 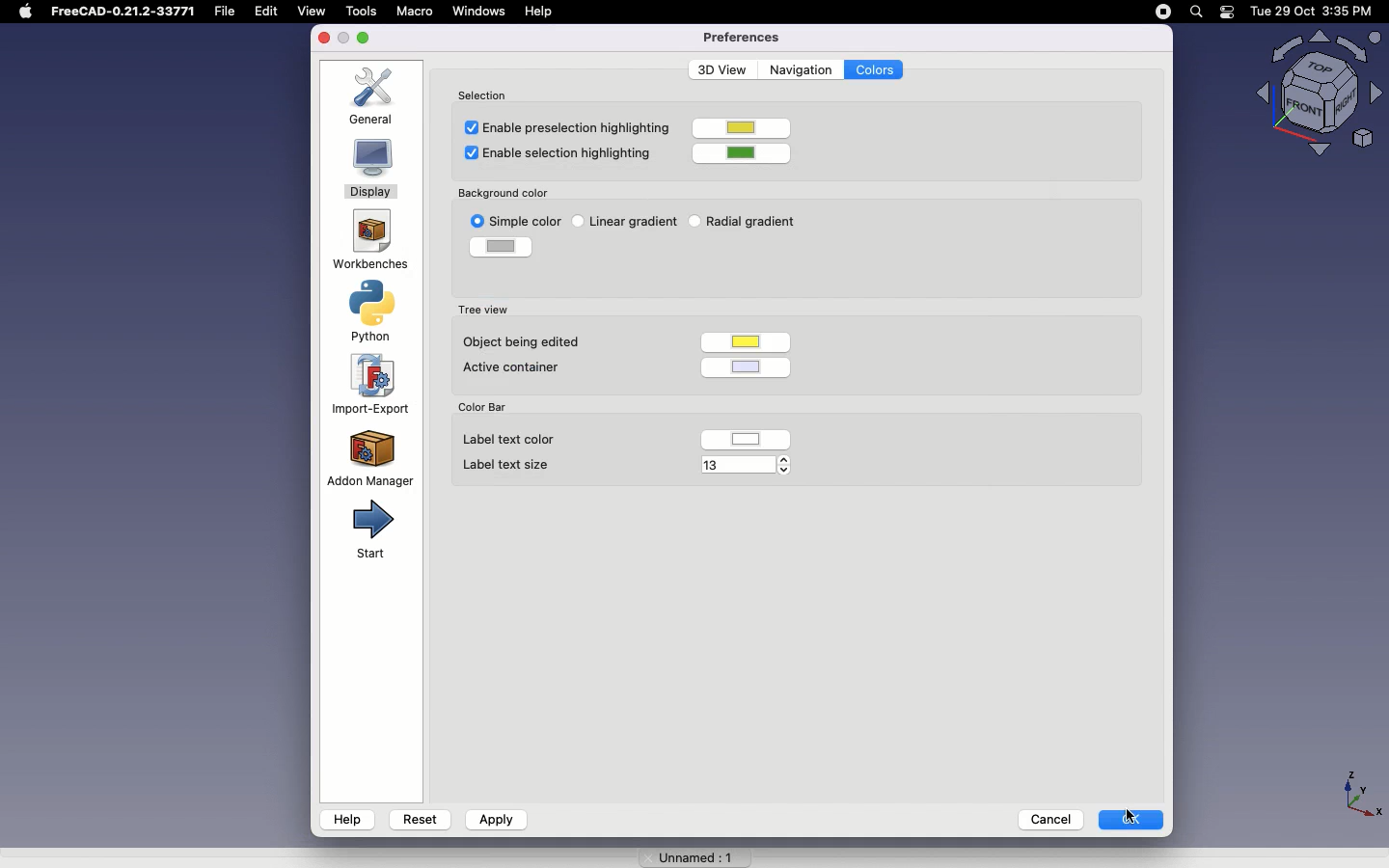 I want to click on Addon Manager, so click(x=370, y=457).